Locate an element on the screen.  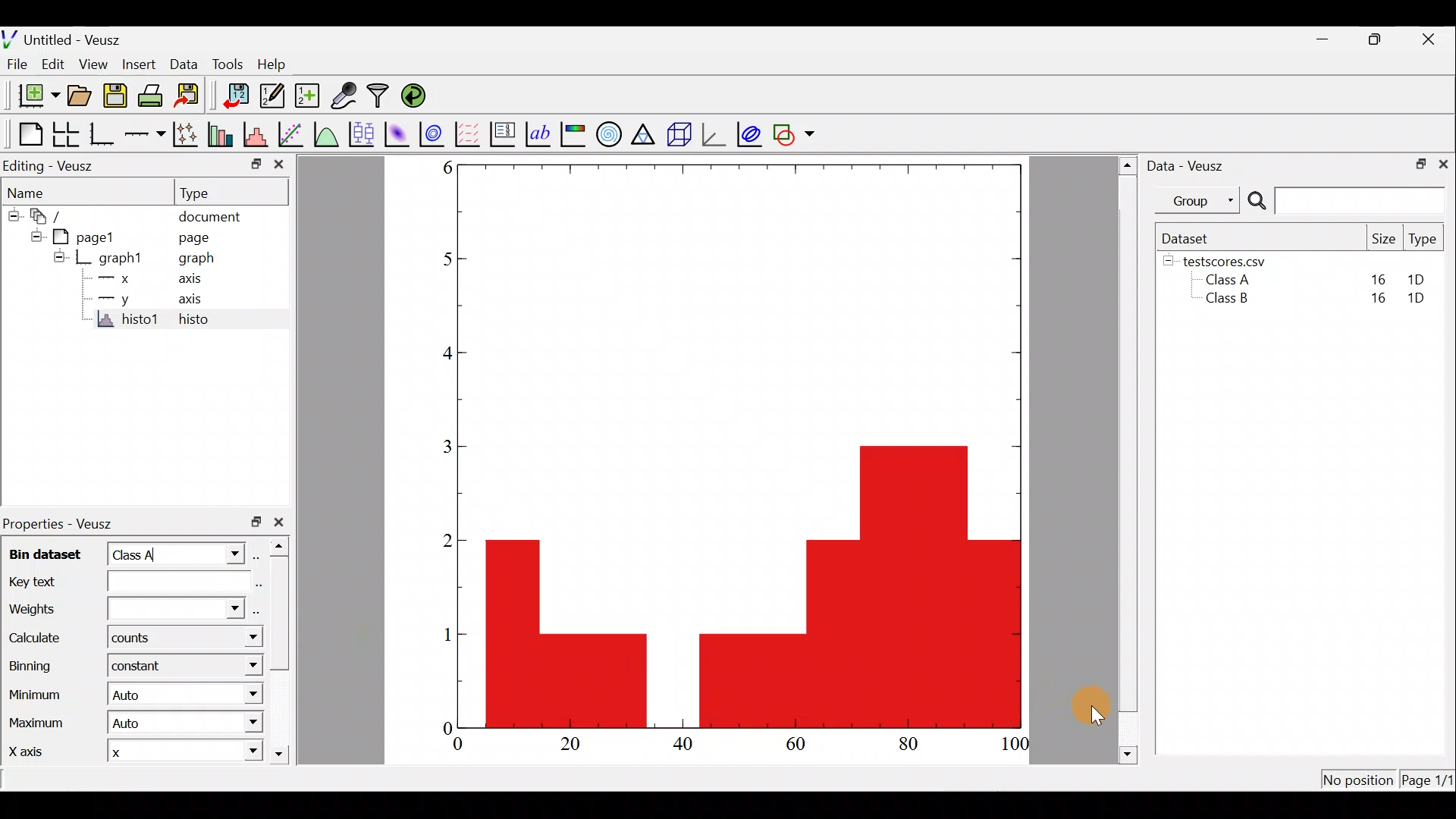
3 is located at coordinates (442, 449).